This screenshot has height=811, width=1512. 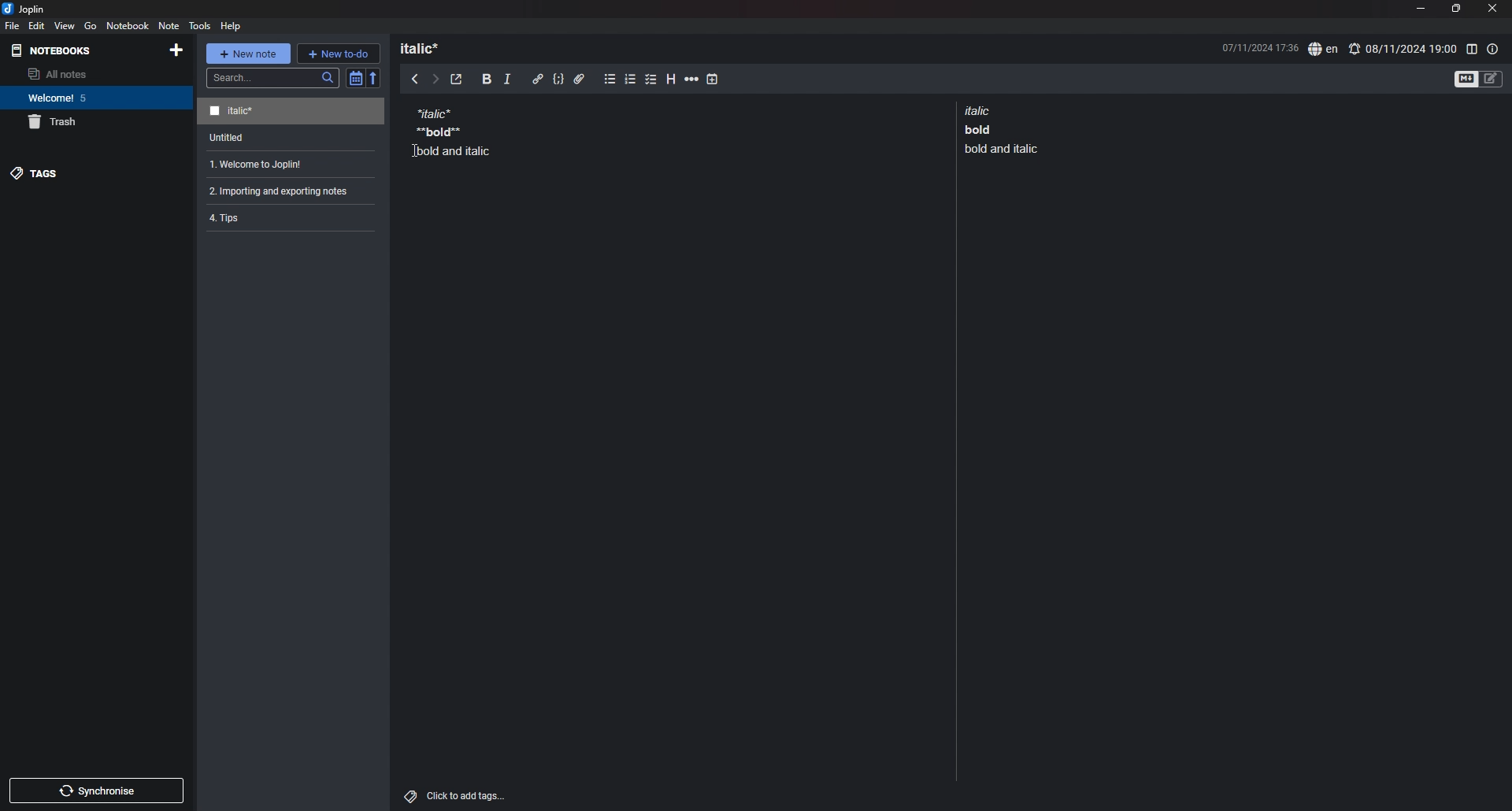 What do you see at coordinates (1259, 46) in the screenshot?
I see `date and time` at bounding box center [1259, 46].